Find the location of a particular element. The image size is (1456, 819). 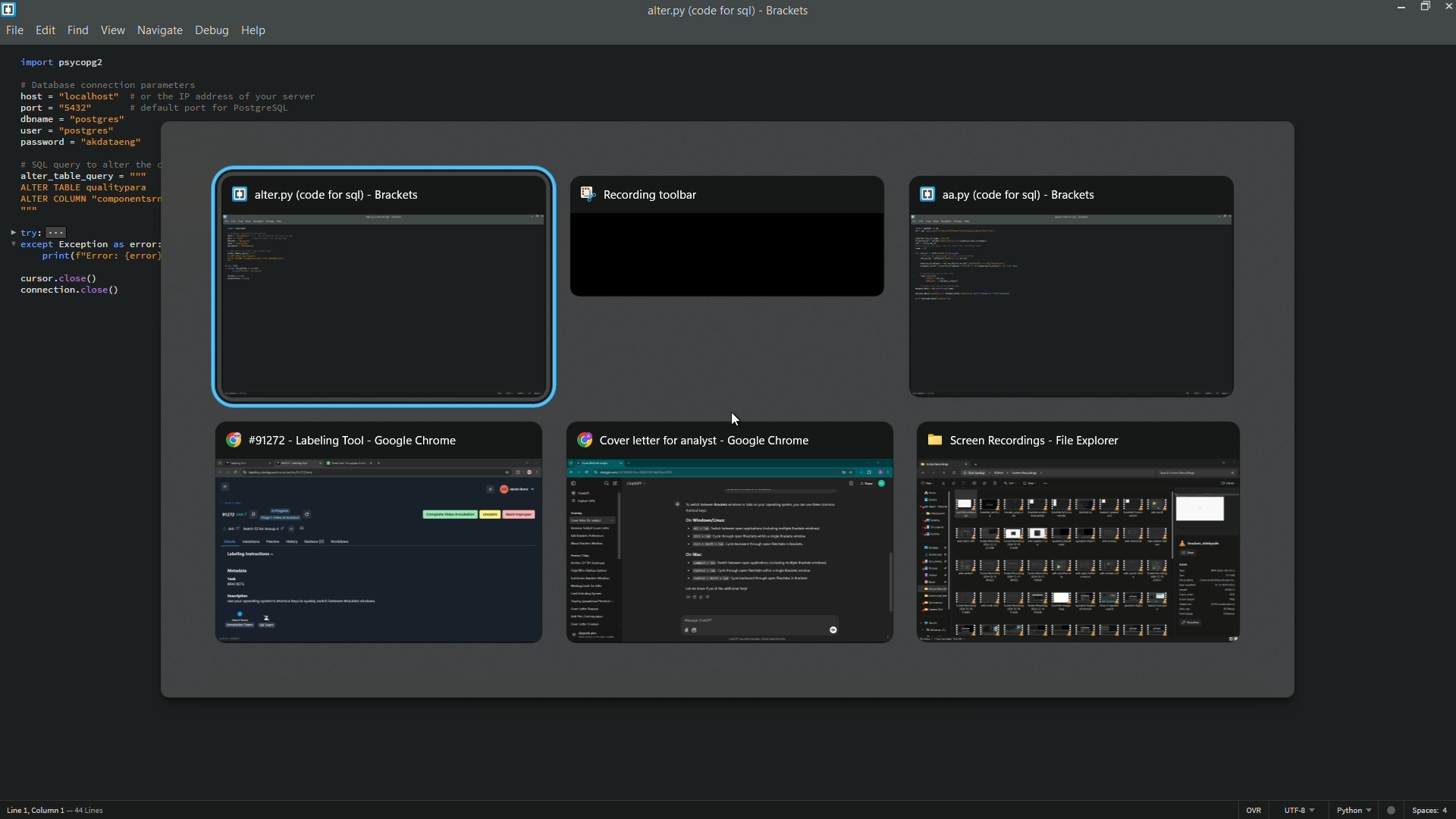

ins is located at coordinates (1254, 810).